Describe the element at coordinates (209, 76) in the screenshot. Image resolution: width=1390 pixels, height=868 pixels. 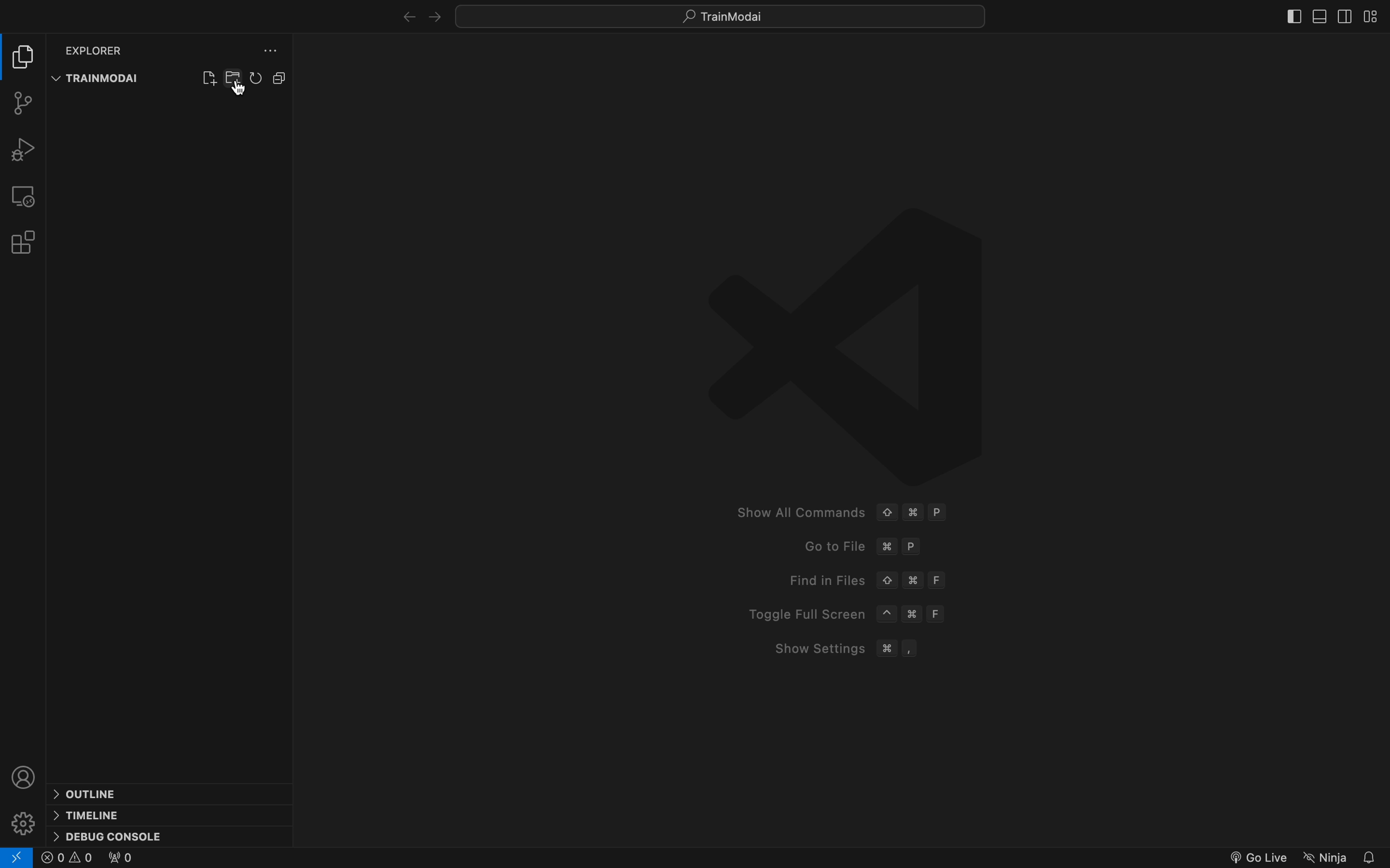
I see `create file` at that location.